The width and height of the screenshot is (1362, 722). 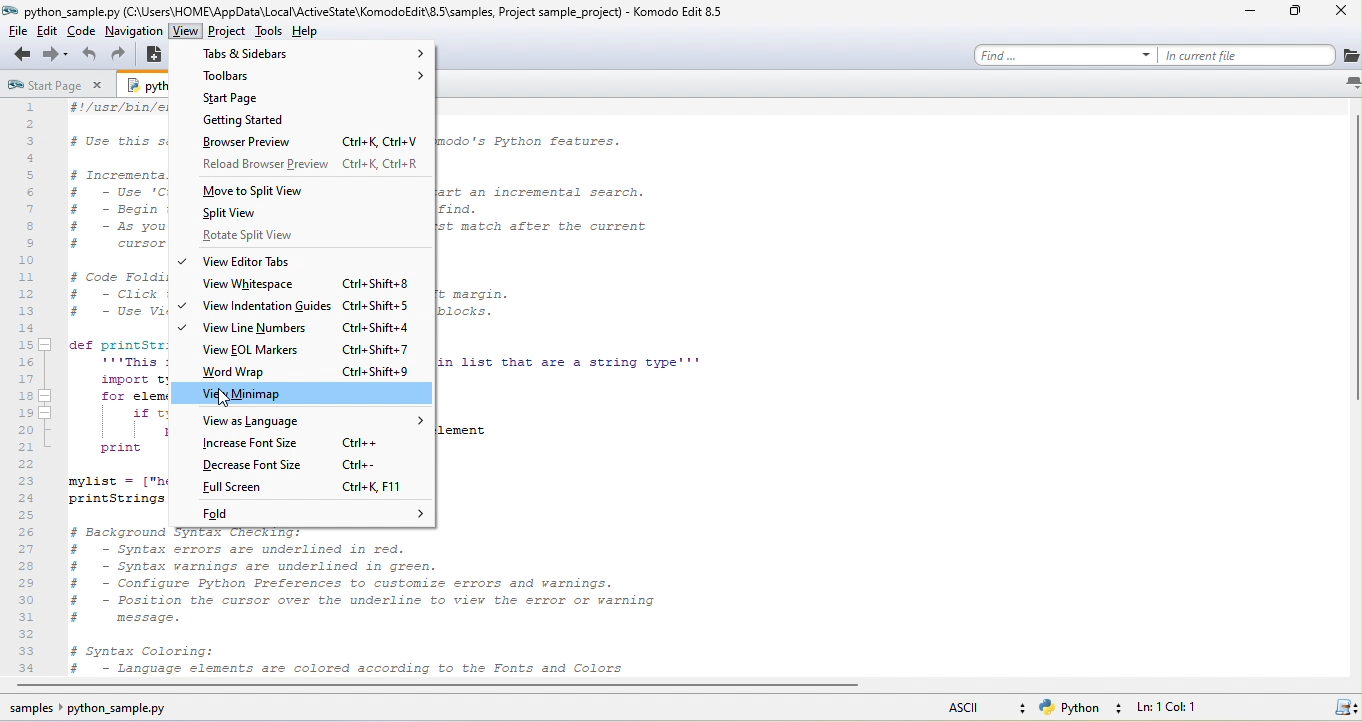 What do you see at coordinates (1168, 708) in the screenshot?
I see `ln 1, col 1` at bounding box center [1168, 708].